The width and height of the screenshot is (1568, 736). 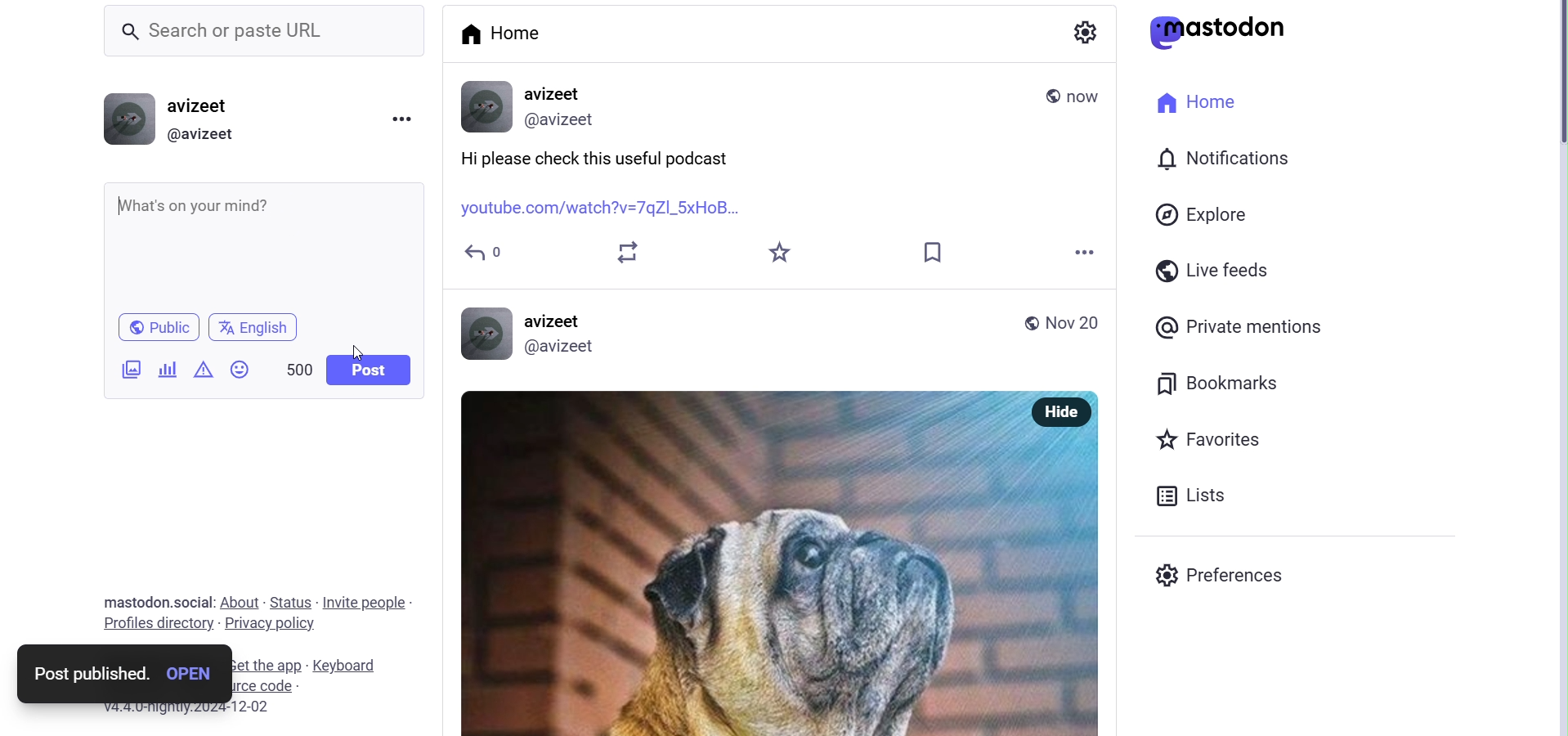 I want to click on privacy policy, so click(x=272, y=624).